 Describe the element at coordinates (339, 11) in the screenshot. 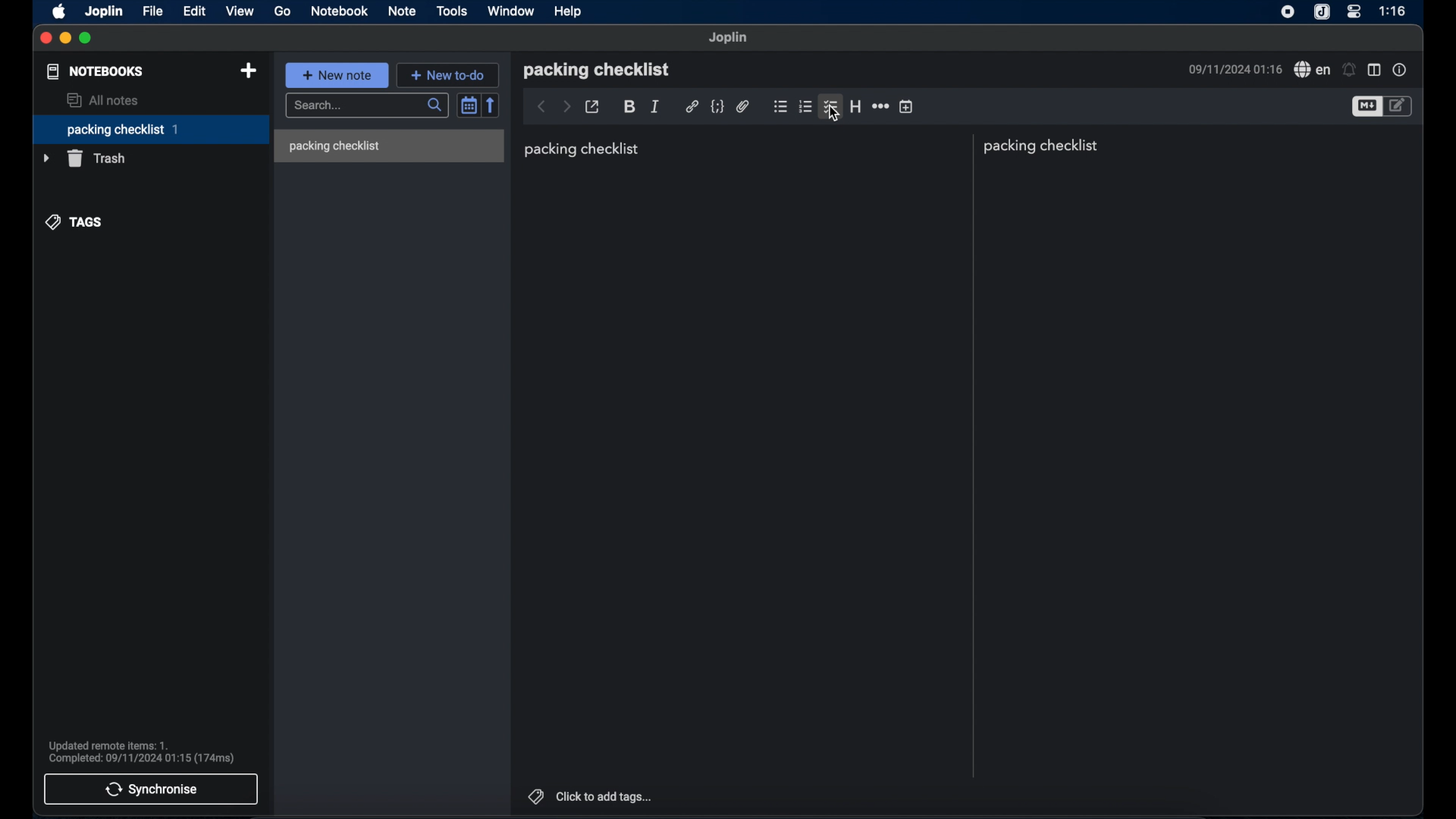

I see `notebook` at that location.